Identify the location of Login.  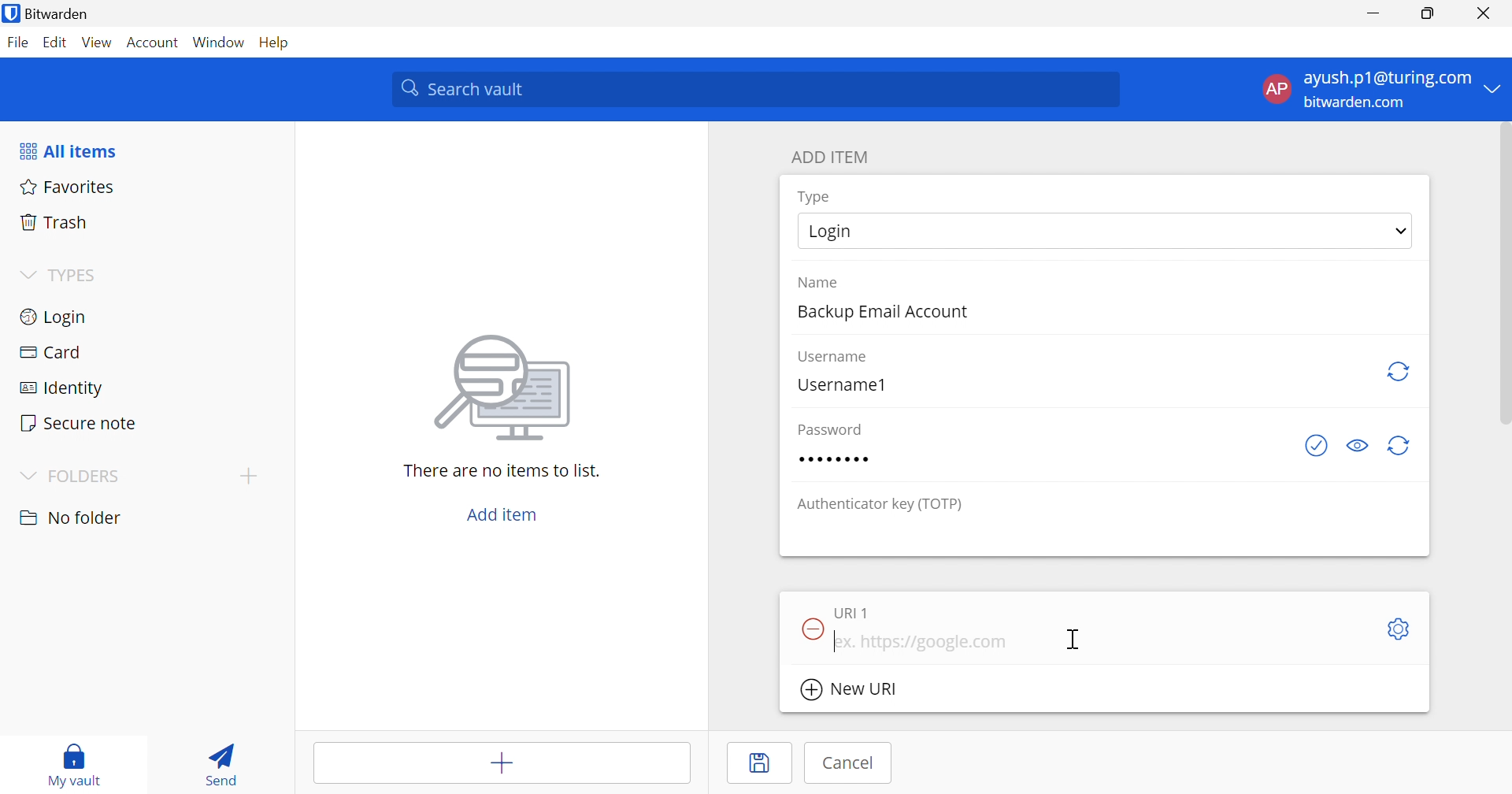
(56, 317).